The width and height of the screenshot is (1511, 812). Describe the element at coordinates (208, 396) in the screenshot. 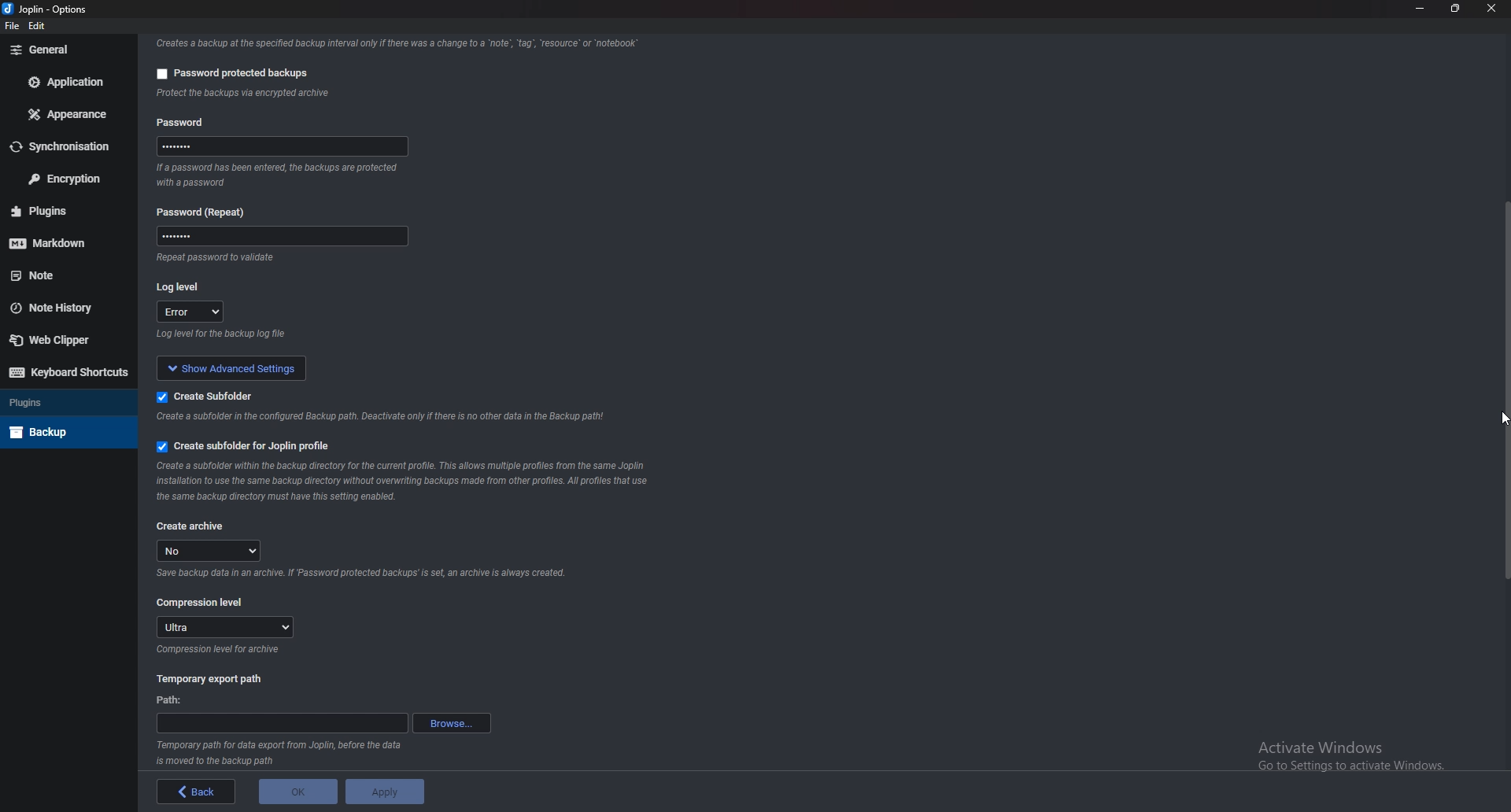

I see `create subfolder` at that location.